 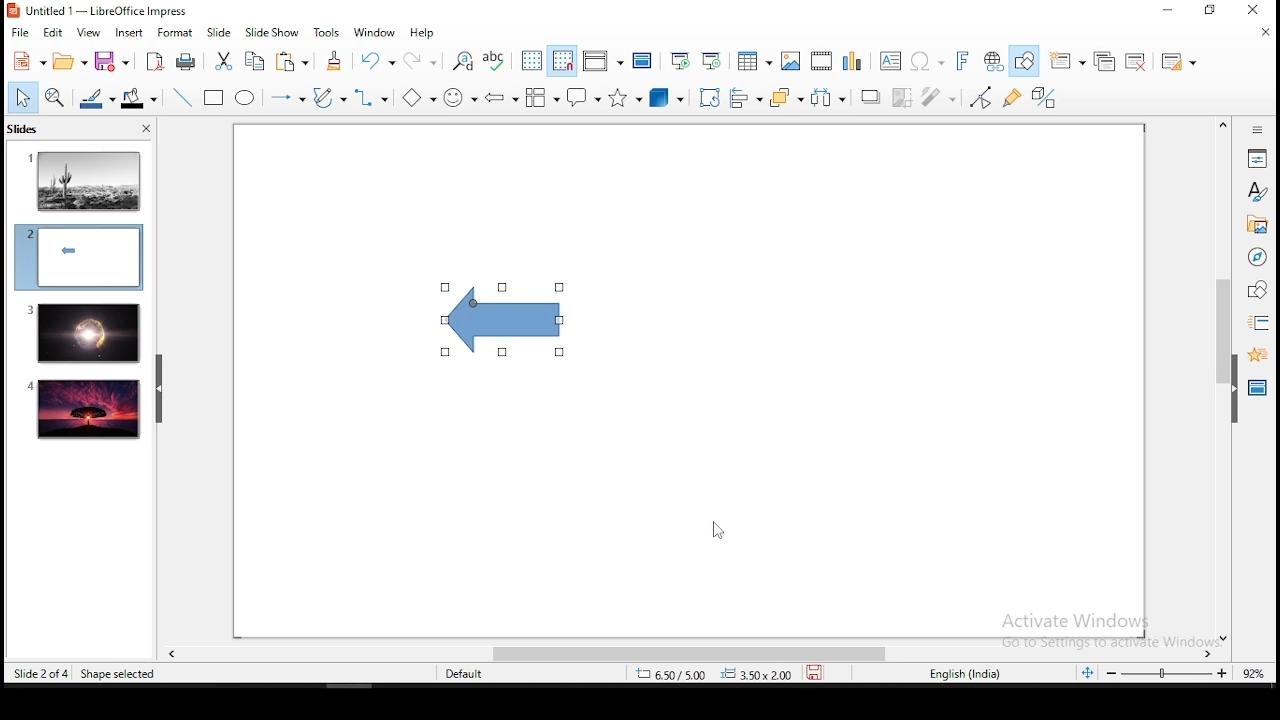 What do you see at coordinates (1220, 380) in the screenshot?
I see `scroll bar` at bounding box center [1220, 380].